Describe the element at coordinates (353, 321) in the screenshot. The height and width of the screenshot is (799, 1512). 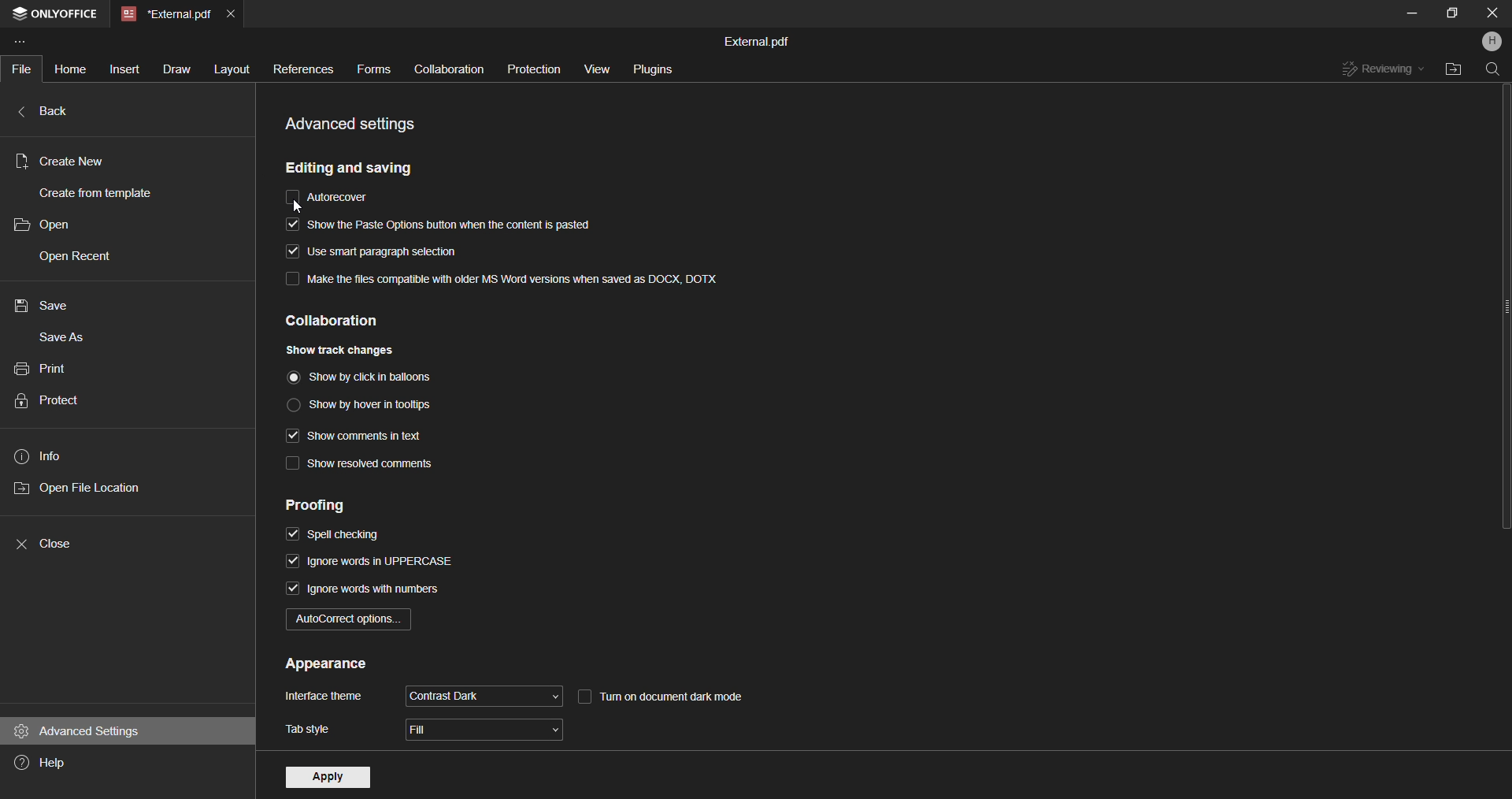
I see `collaboration` at that location.